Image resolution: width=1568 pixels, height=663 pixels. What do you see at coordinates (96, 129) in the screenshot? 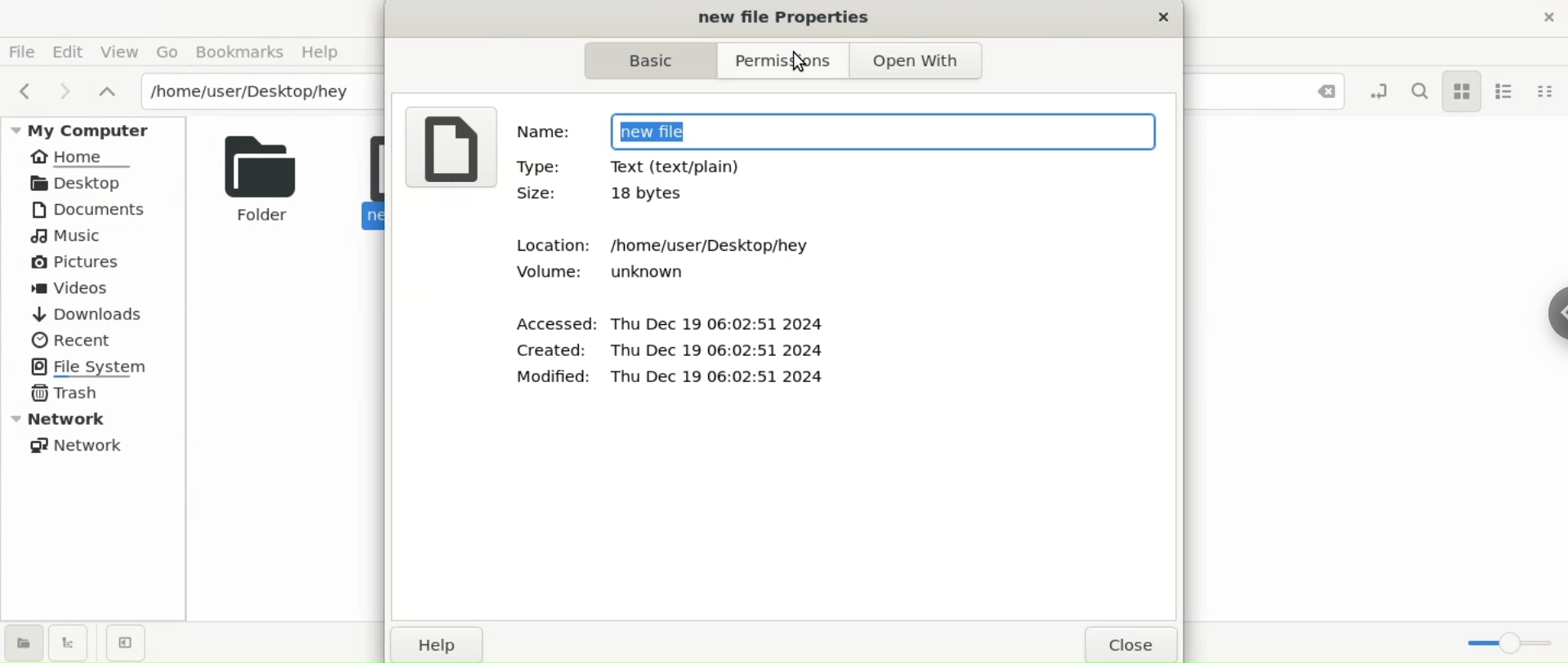
I see `My Computer` at bounding box center [96, 129].